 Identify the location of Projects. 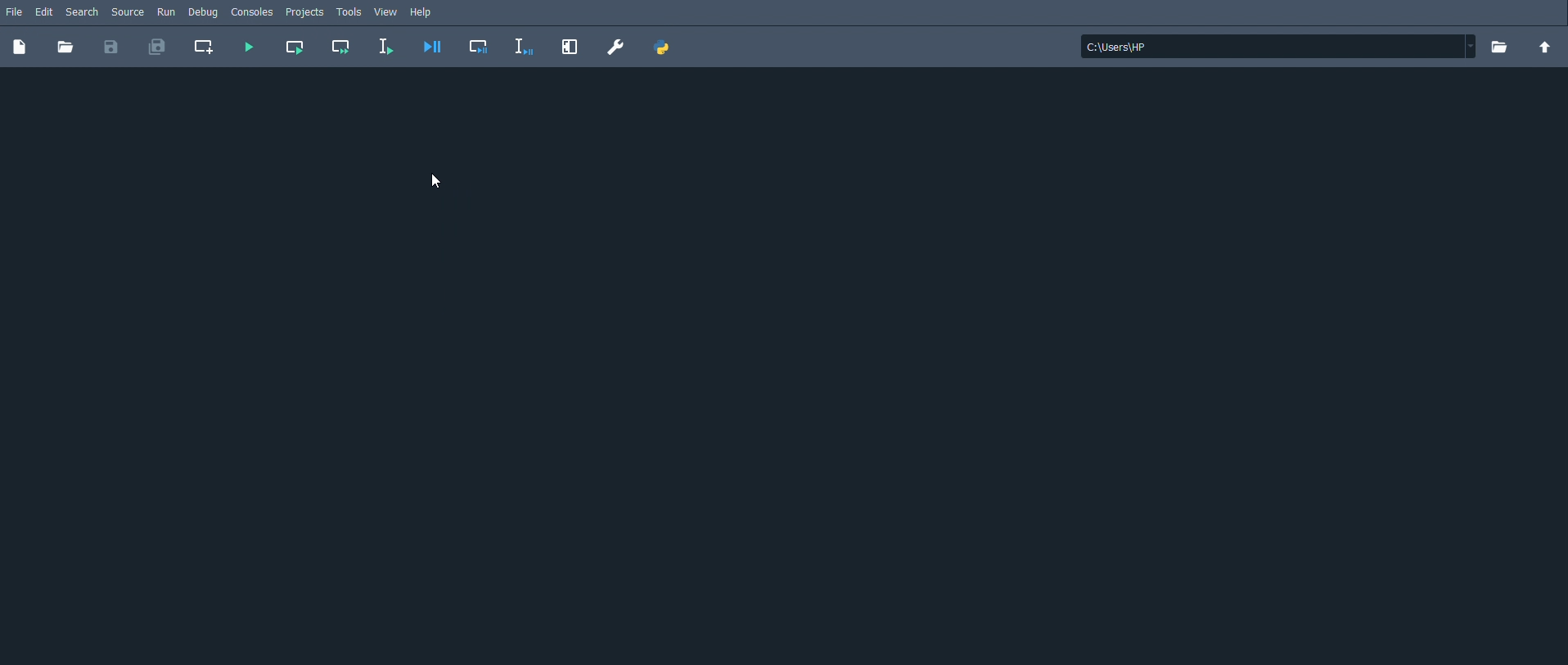
(306, 13).